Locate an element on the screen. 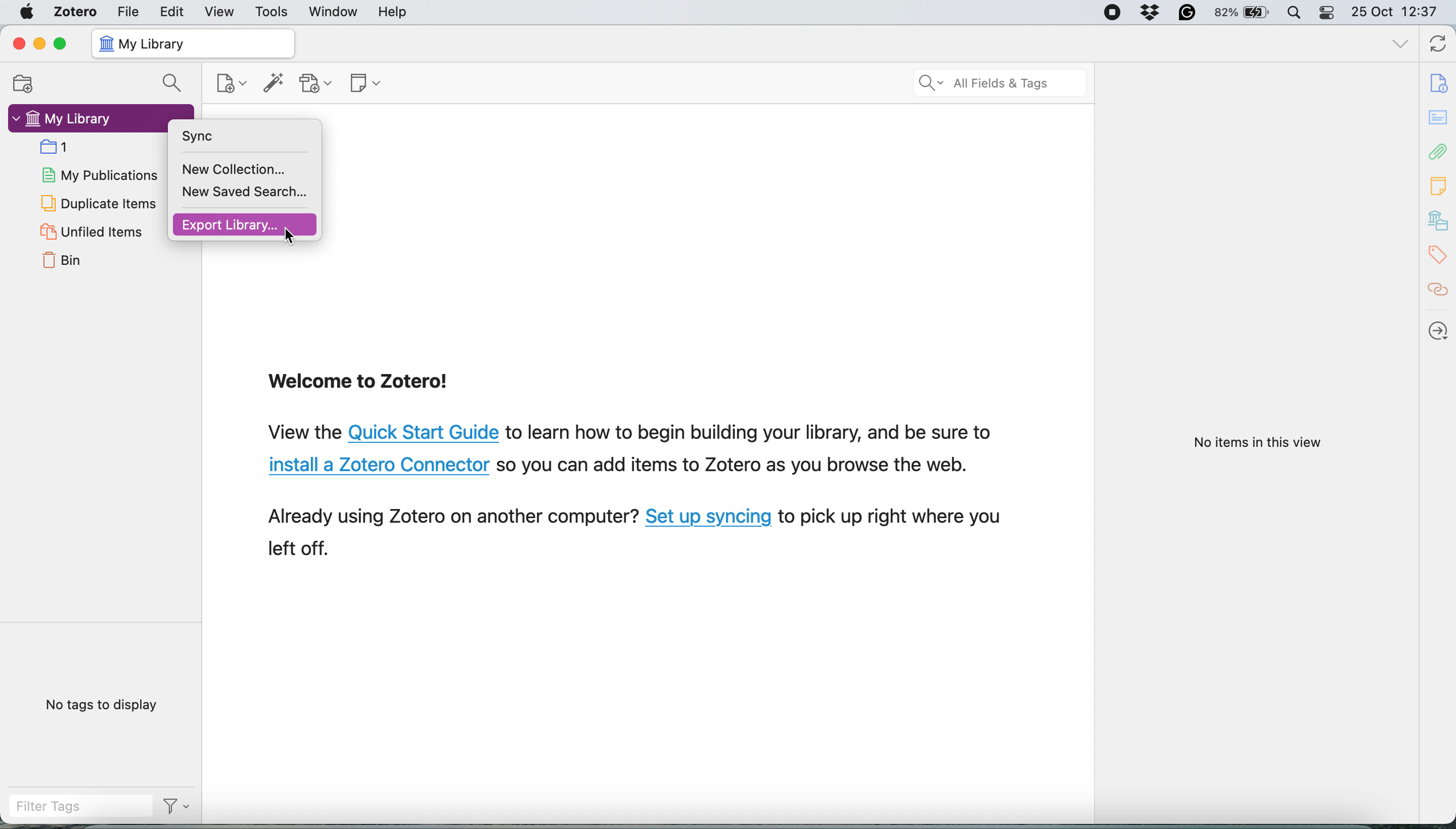 The height and width of the screenshot is (829, 1456). 82% battery is located at coordinates (1242, 11).